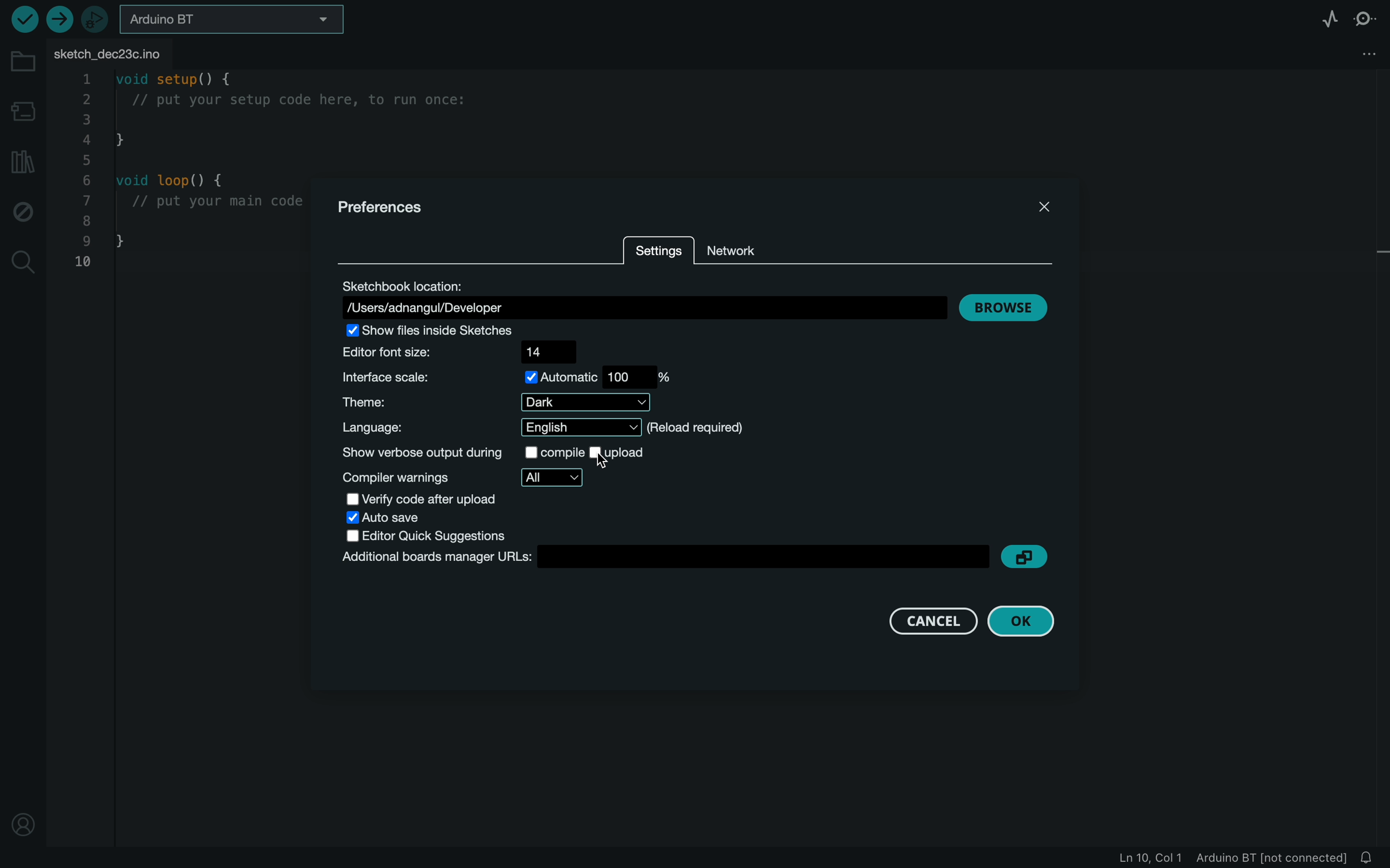 The height and width of the screenshot is (868, 1390). What do you see at coordinates (656, 557) in the screenshot?
I see `board manager` at bounding box center [656, 557].